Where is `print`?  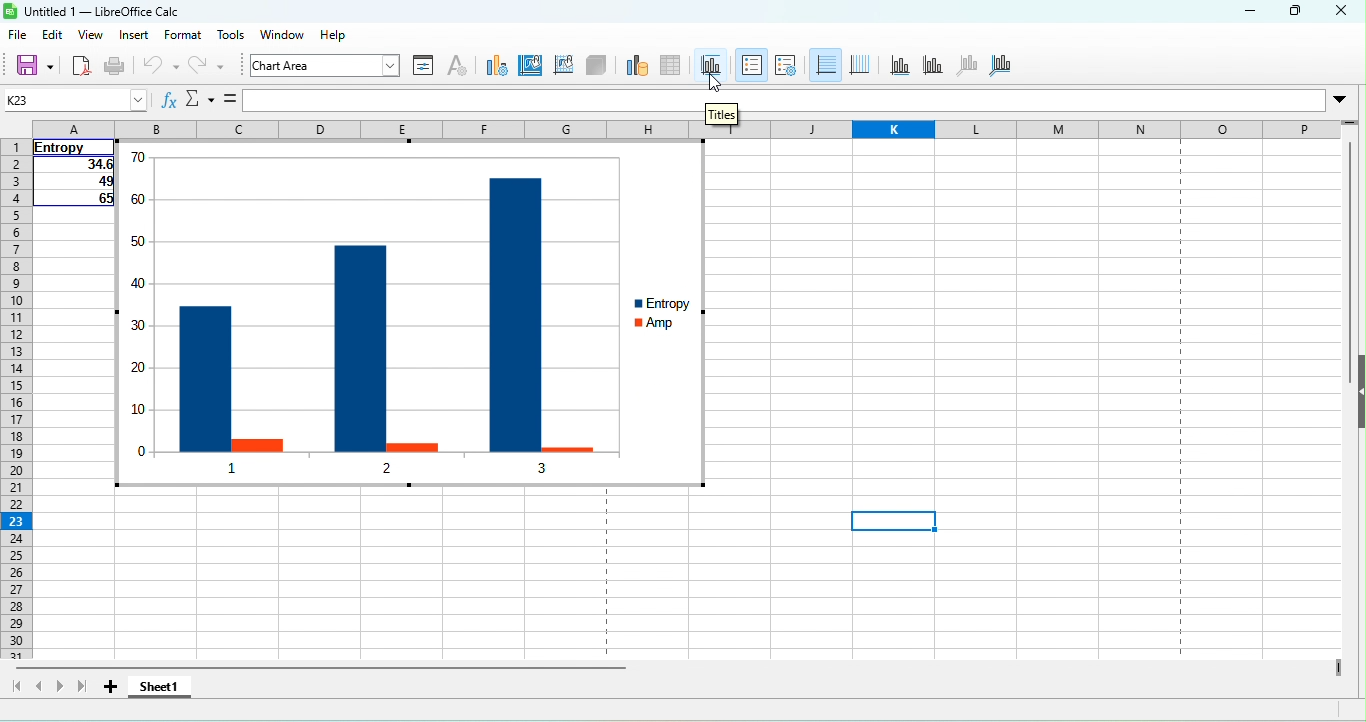 print is located at coordinates (117, 65).